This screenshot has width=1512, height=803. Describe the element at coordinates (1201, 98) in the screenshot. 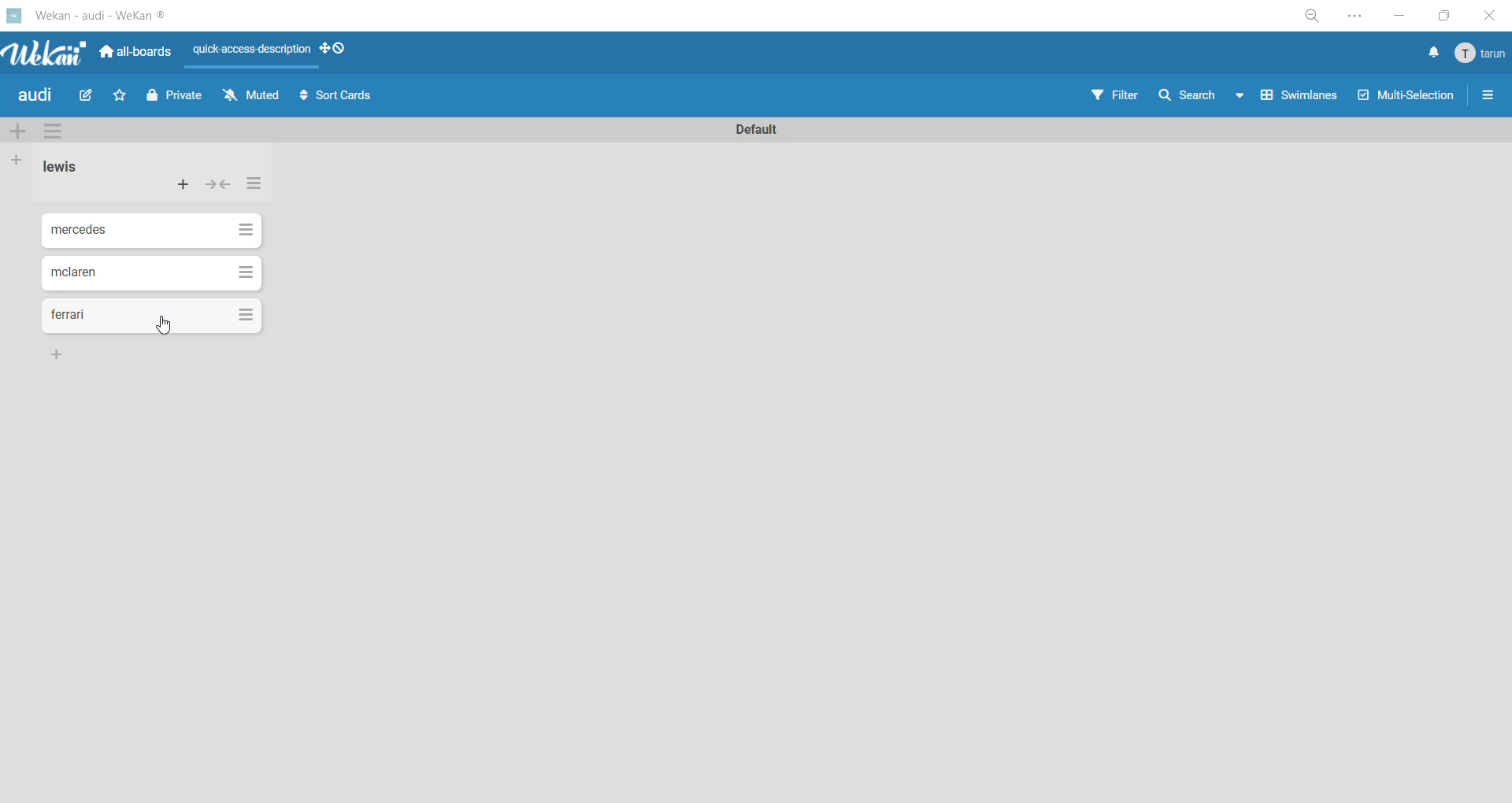

I see `search` at that location.